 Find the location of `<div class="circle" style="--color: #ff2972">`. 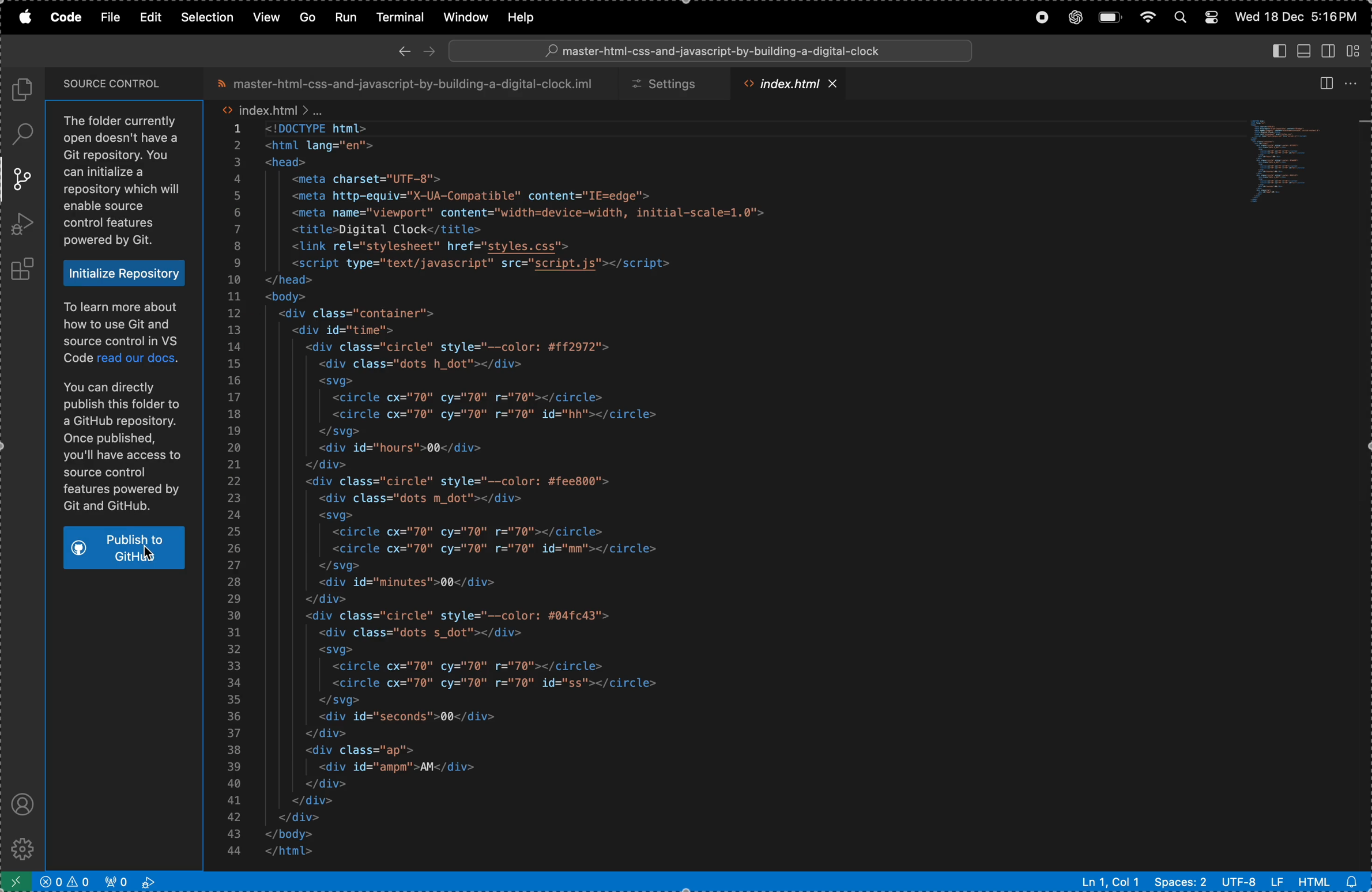

<div class="circle" style="--color: #ff2972"> is located at coordinates (469, 347).